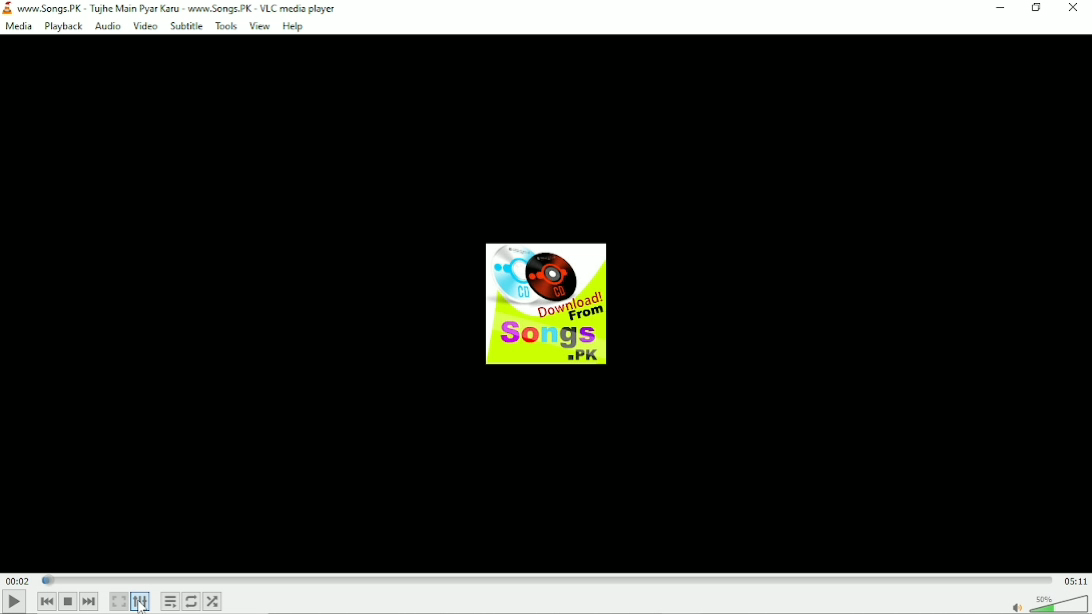  What do you see at coordinates (45, 602) in the screenshot?
I see `Previous` at bounding box center [45, 602].